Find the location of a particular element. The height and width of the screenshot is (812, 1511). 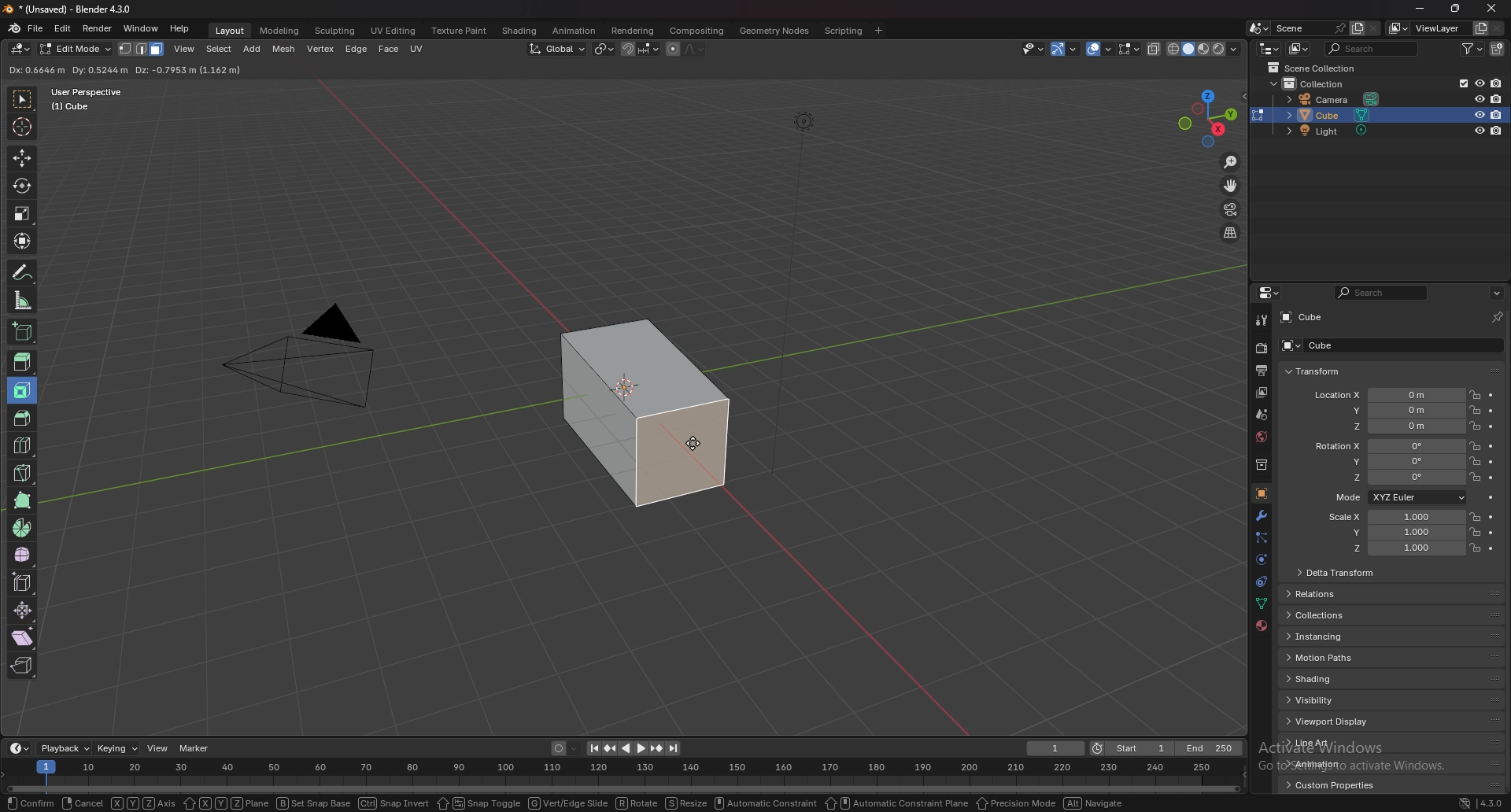

transformation orientation is located at coordinates (560, 50).